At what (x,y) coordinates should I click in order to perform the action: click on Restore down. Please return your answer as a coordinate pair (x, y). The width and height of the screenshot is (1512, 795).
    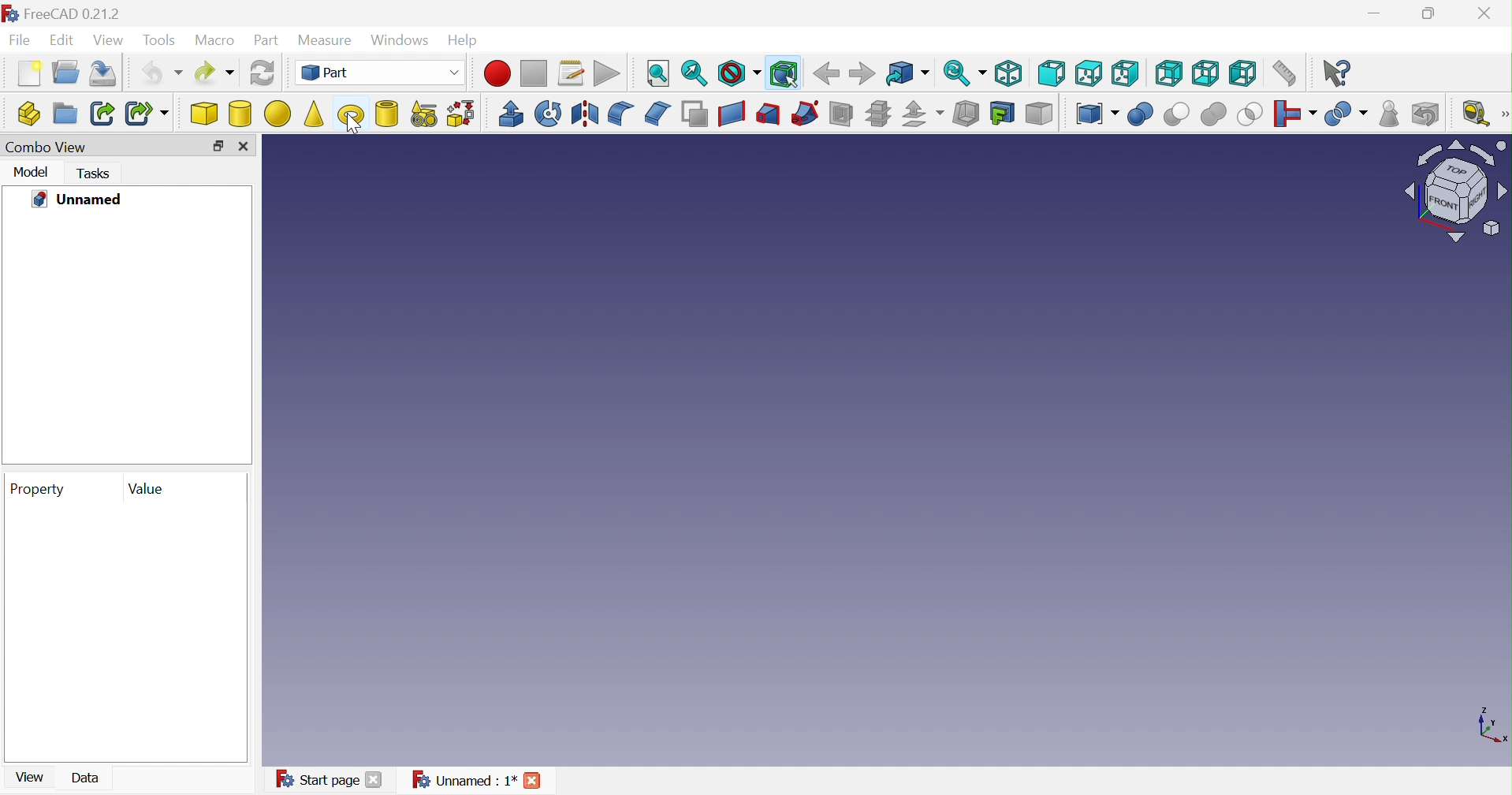
    Looking at the image, I should click on (1432, 15).